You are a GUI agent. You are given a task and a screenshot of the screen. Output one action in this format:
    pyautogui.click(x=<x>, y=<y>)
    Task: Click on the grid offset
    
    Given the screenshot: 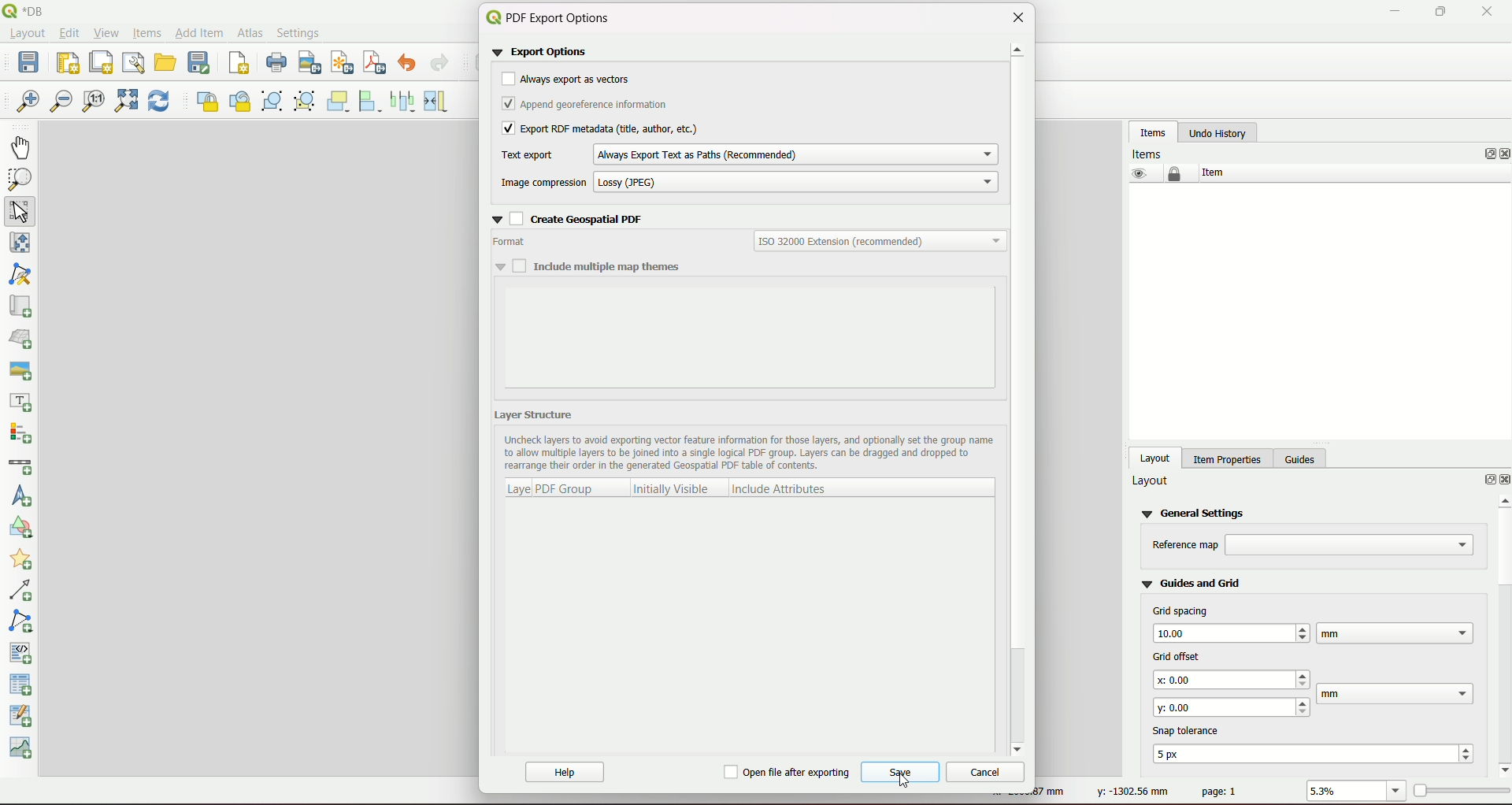 What is the action you would take?
    pyautogui.click(x=1173, y=655)
    